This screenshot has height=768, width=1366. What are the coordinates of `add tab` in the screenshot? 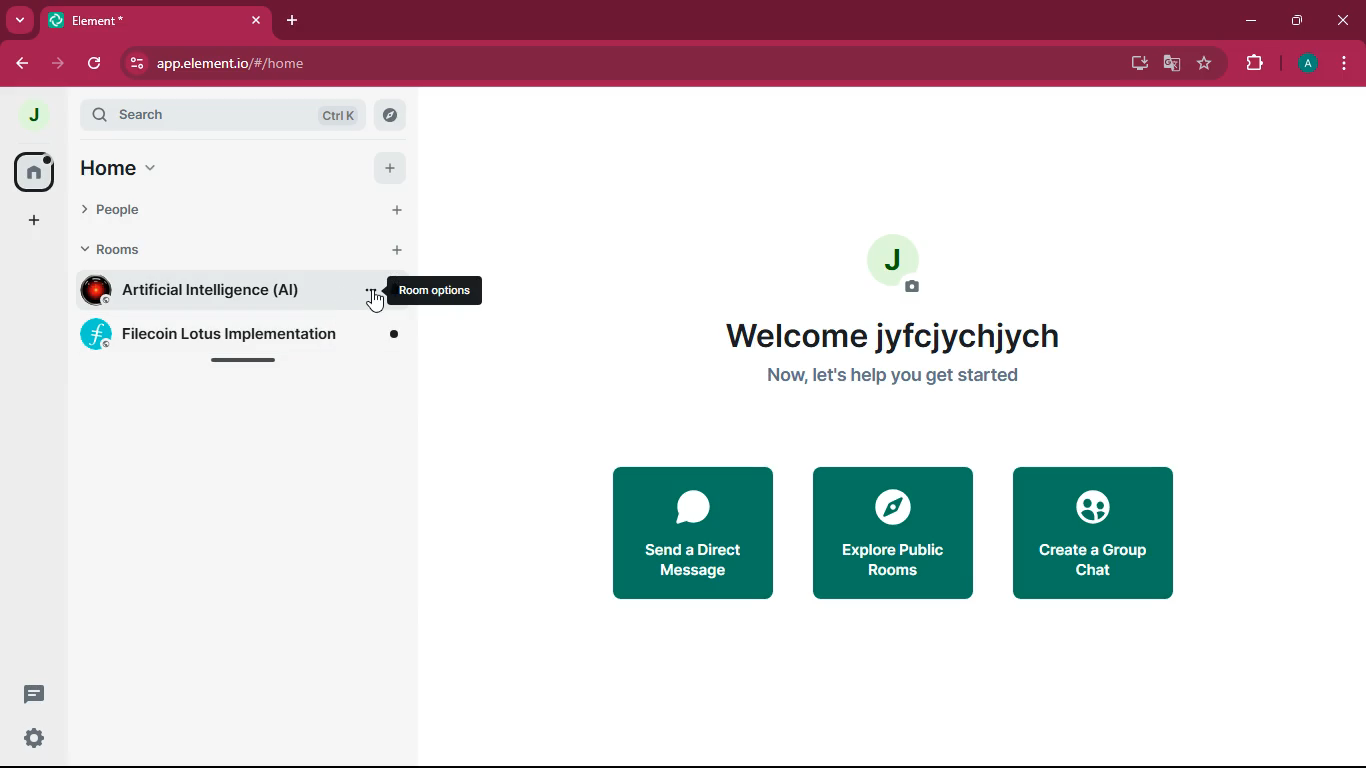 It's located at (296, 23).